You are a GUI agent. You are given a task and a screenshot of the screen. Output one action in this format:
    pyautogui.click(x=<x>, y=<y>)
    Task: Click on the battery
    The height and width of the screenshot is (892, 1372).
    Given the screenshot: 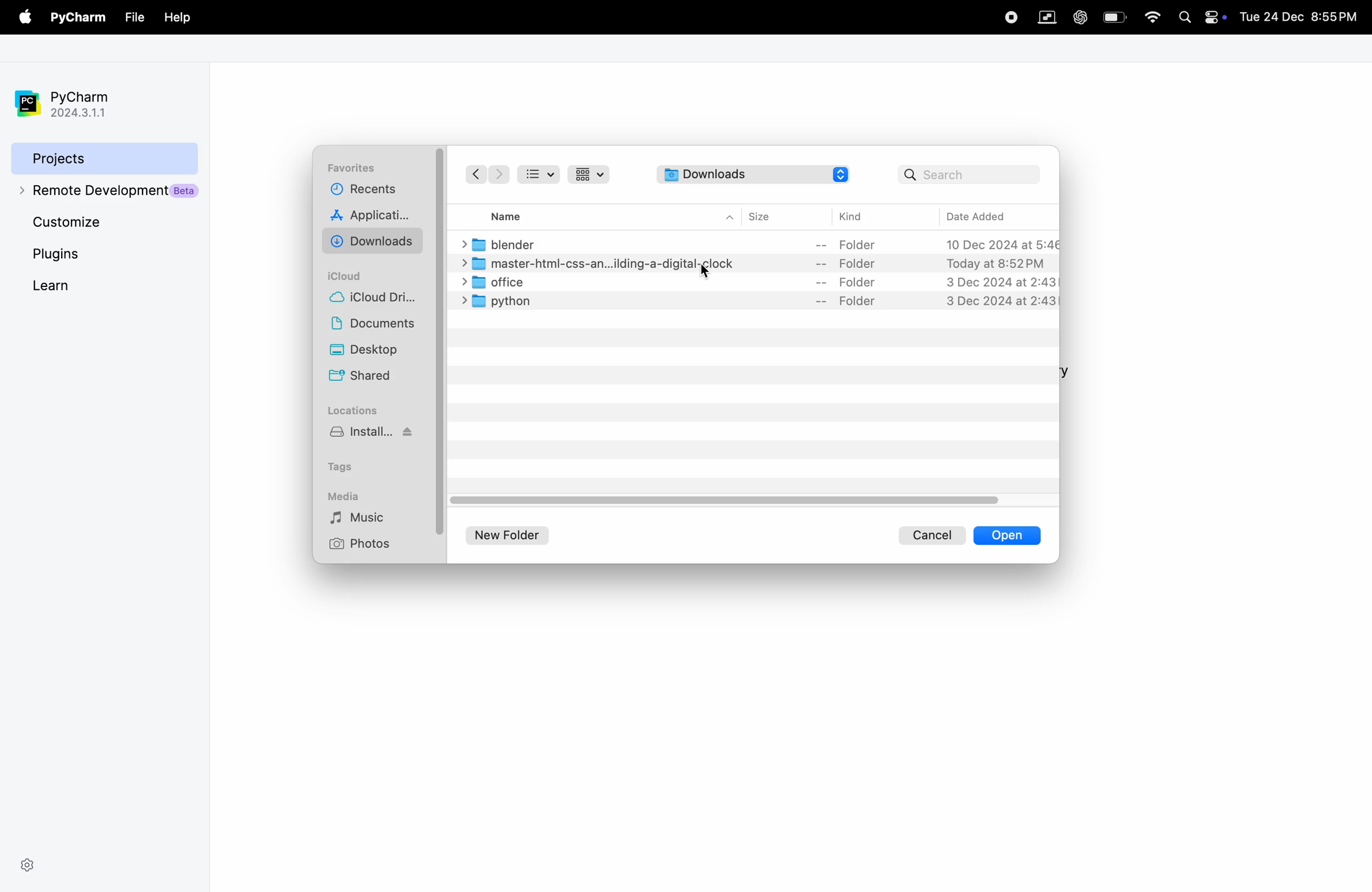 What is the action you would take?
    pyautogui.click(x=1114, y=16)
    